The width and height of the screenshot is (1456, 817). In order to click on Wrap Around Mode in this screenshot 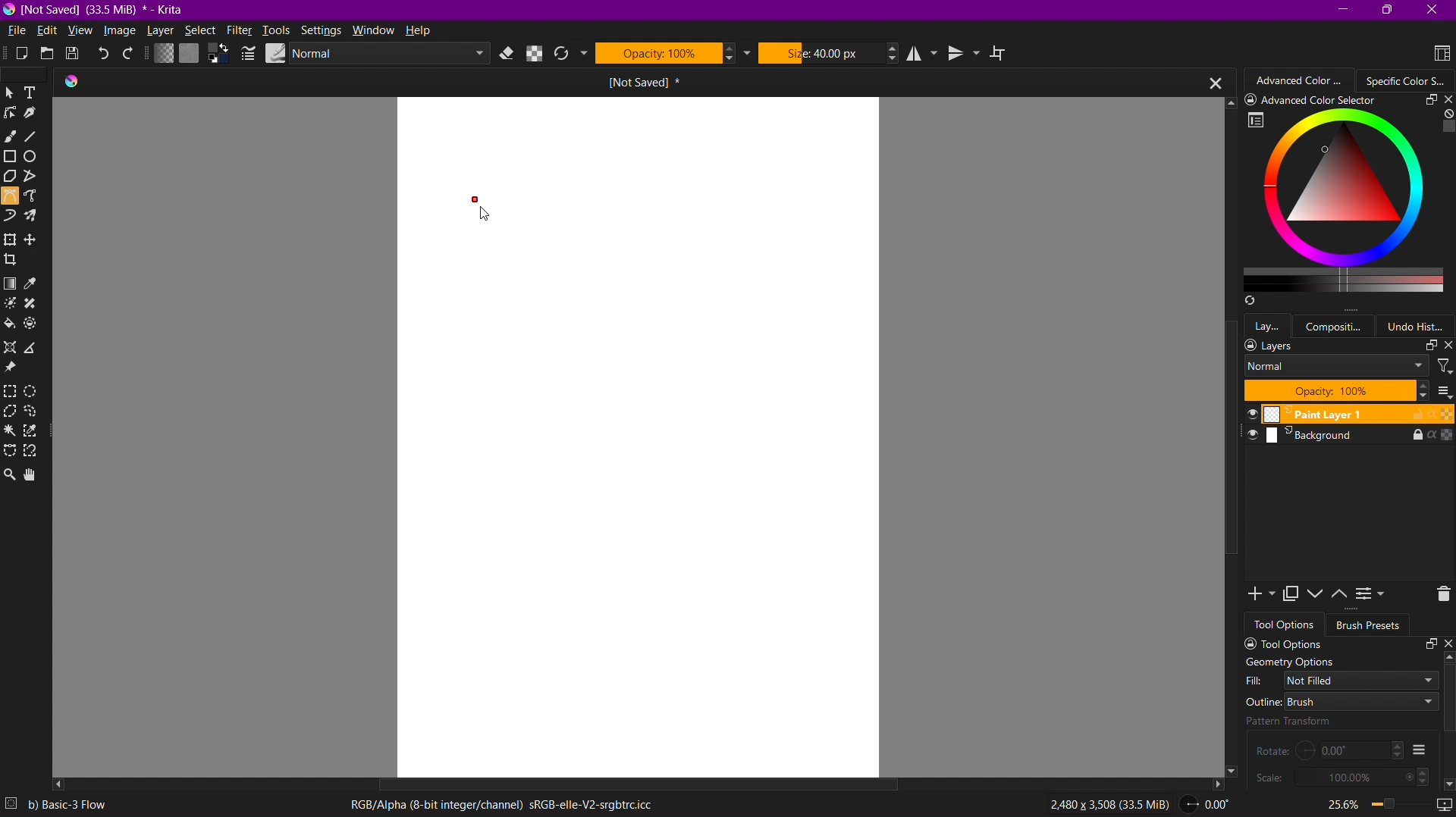, I will do `click(1004, 55)`.